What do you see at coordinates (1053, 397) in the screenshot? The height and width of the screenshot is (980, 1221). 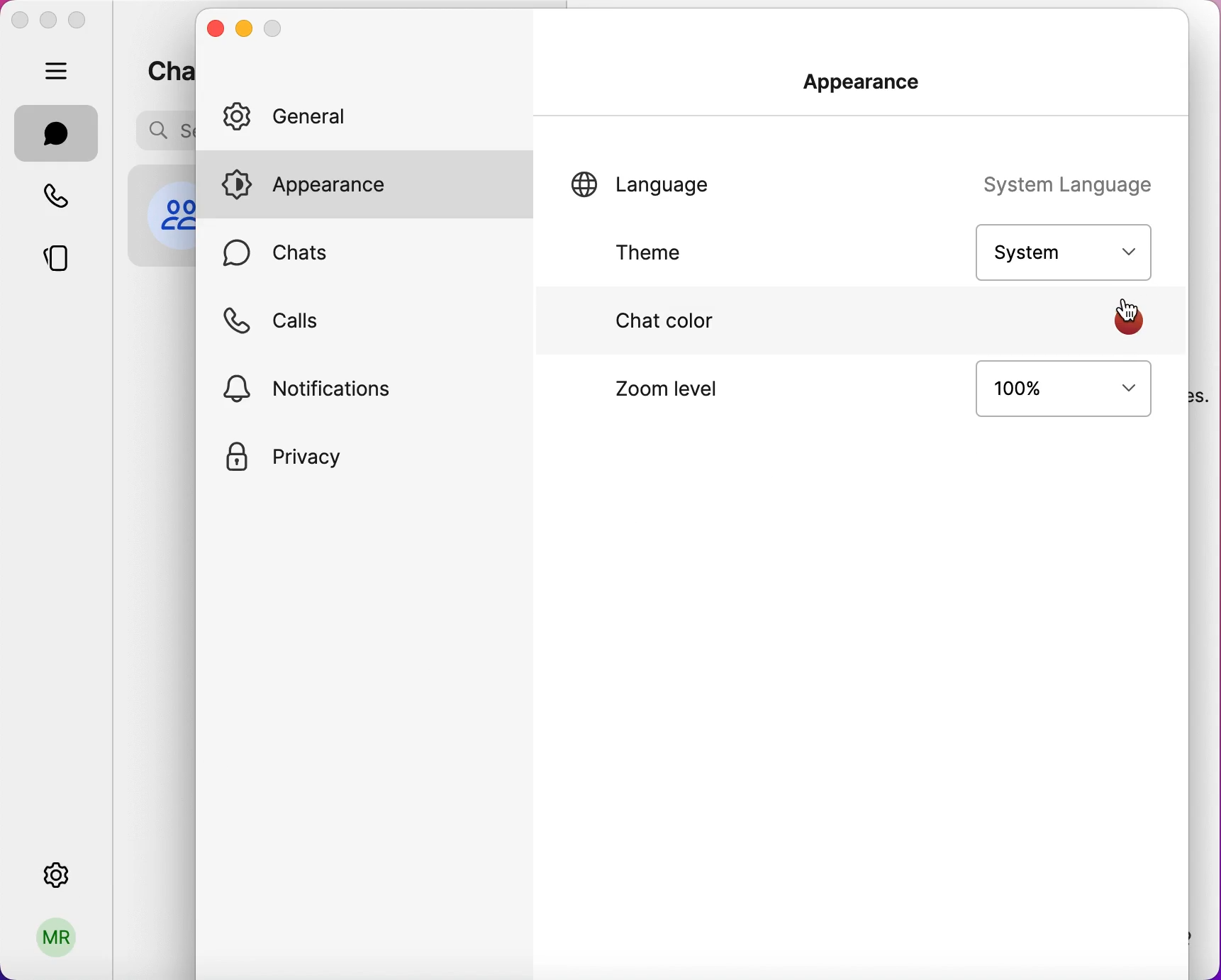 I see `100%` at bounding box center [1053, 397].